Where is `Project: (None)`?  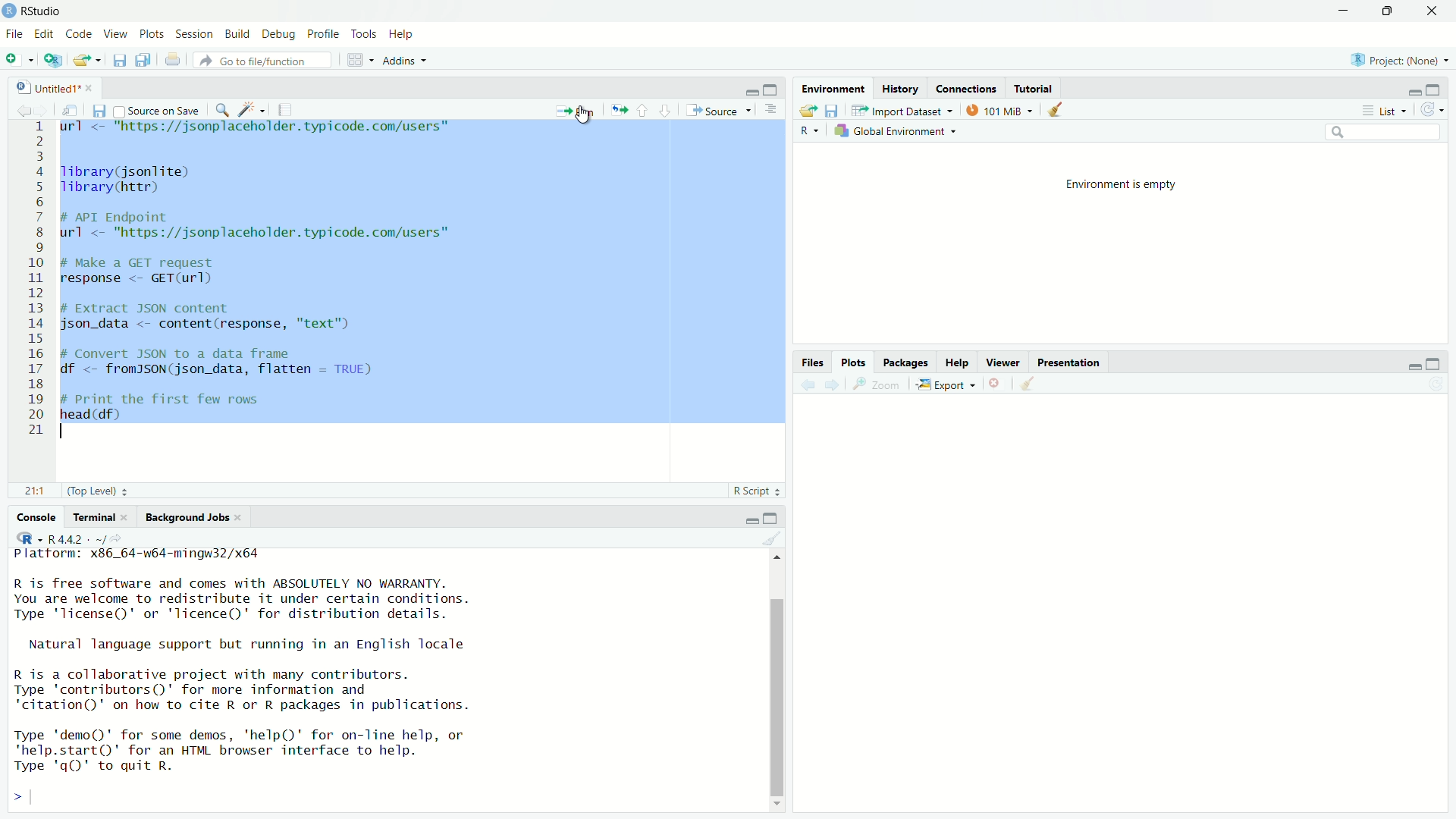
Project: (None) is located at coordinates (1399, 60).